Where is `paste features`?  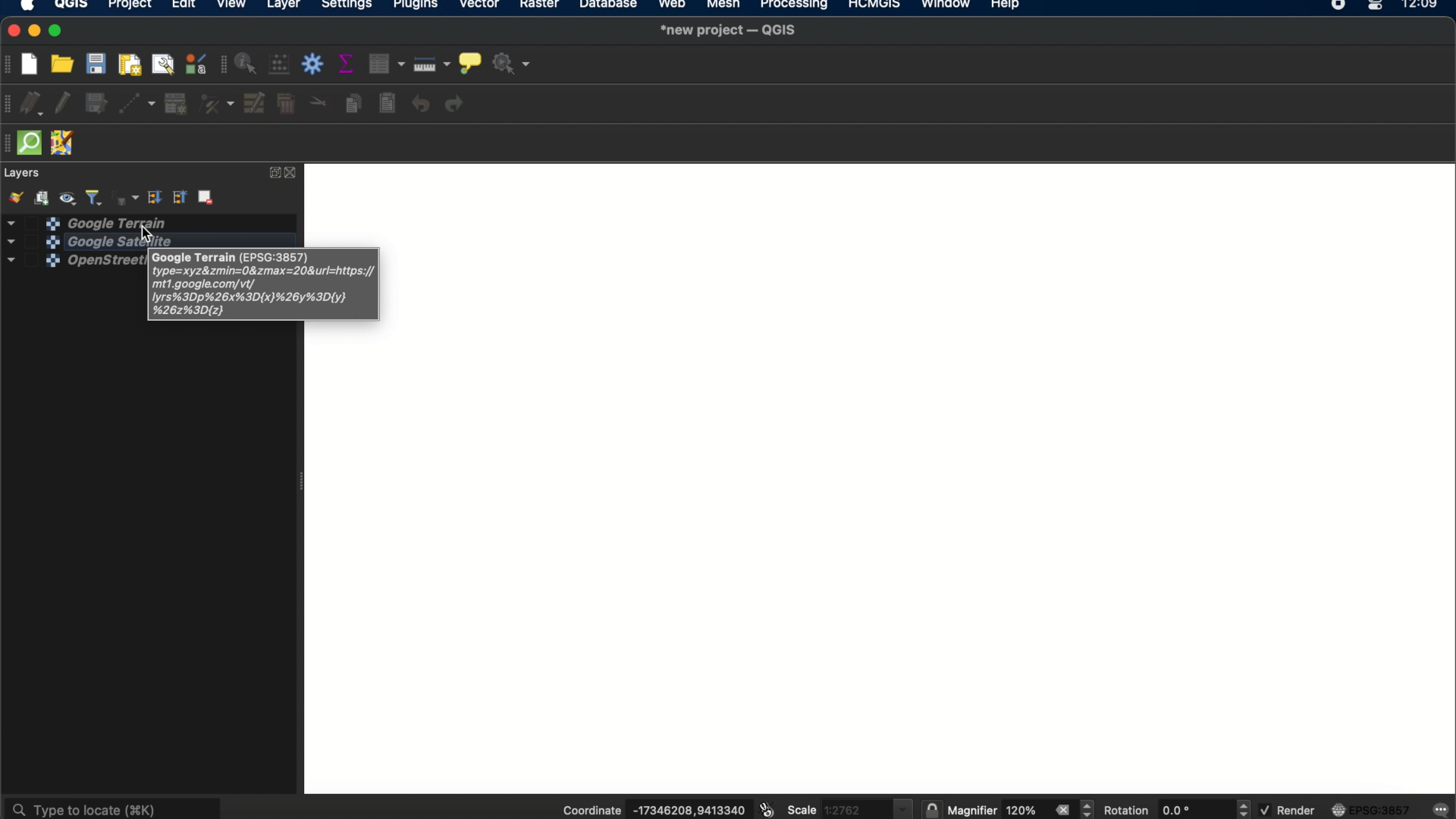
paste features is located at coordinates (389, 104).